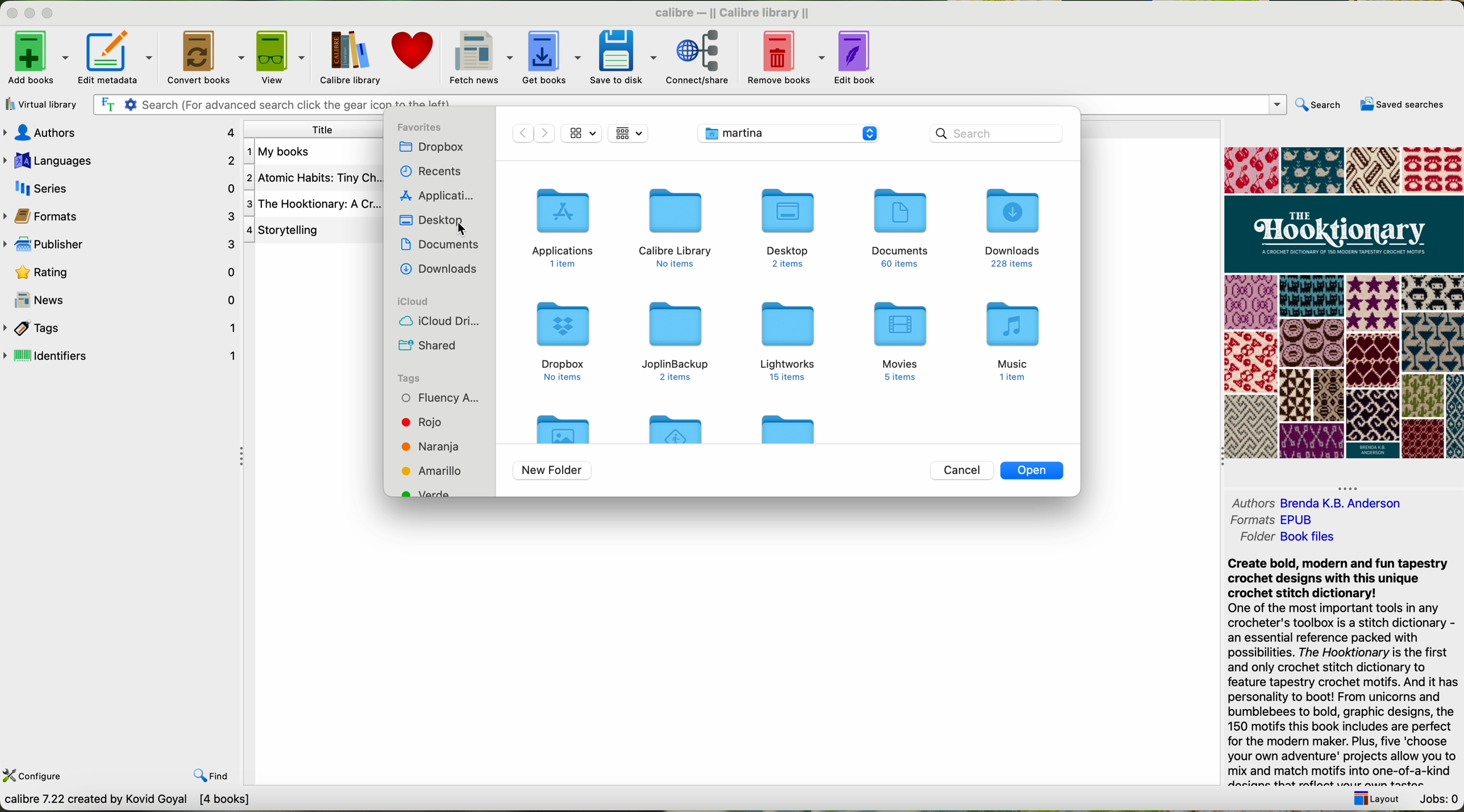 The height and width of the screenshot is (812, 1464). What do you see at coordinates (317, 130) in the screenshot?
I see `title` at bounding box center [317, 130].